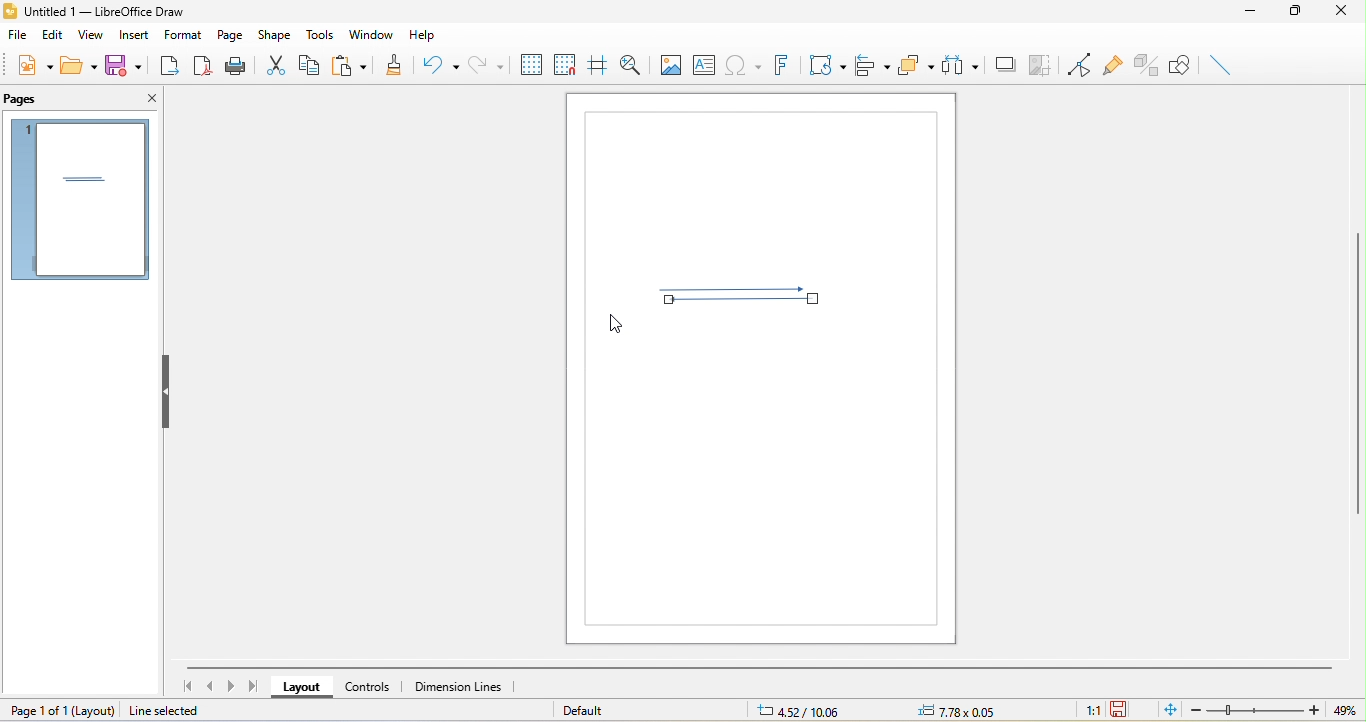  What do you see at coordinates (759, 666) in the screenshot?
I see `horizontal scroll bar` at bounding box center [759, 666].